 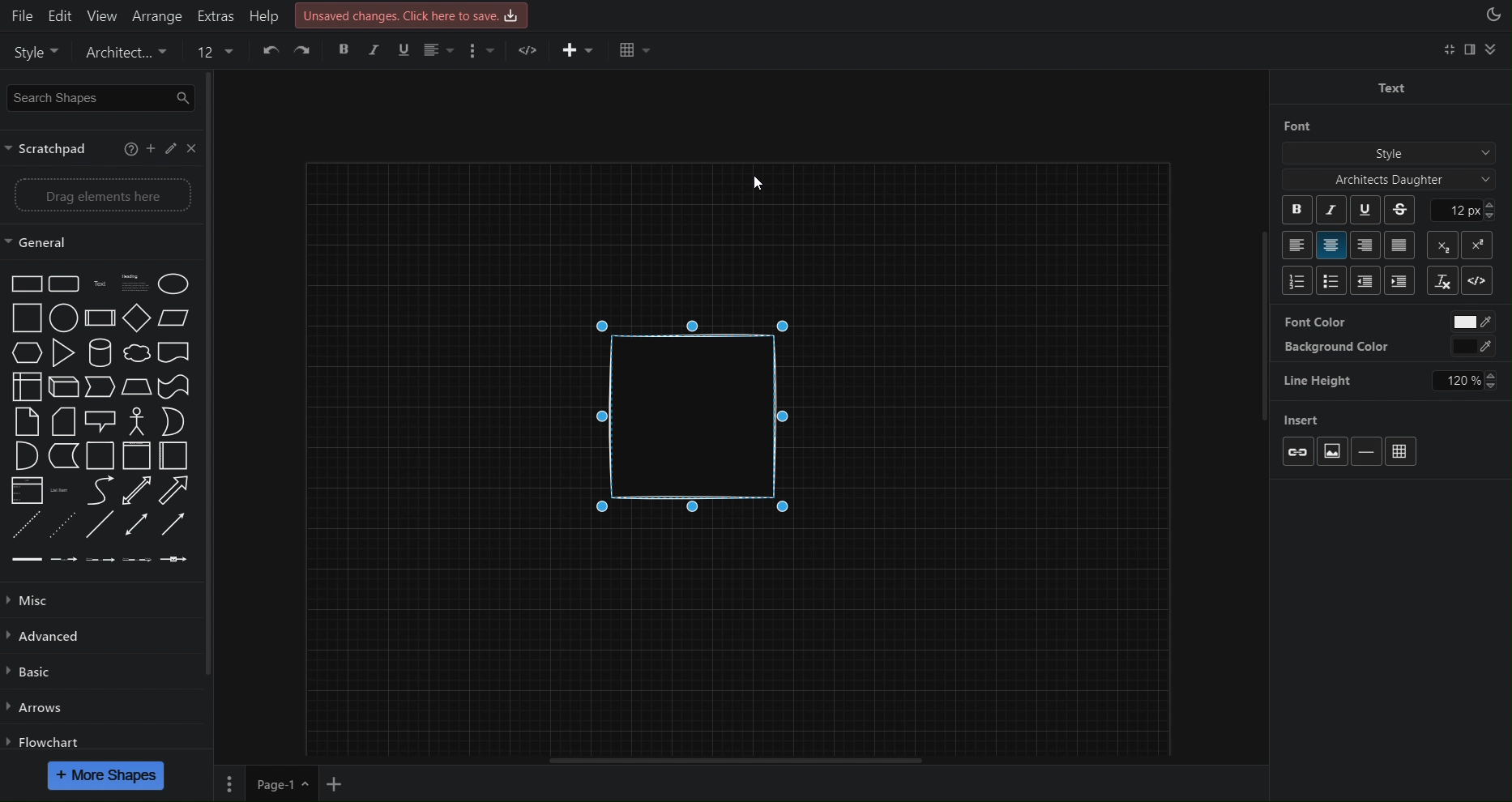 I want to click on Scratchpad, so click(x=99, y=149).